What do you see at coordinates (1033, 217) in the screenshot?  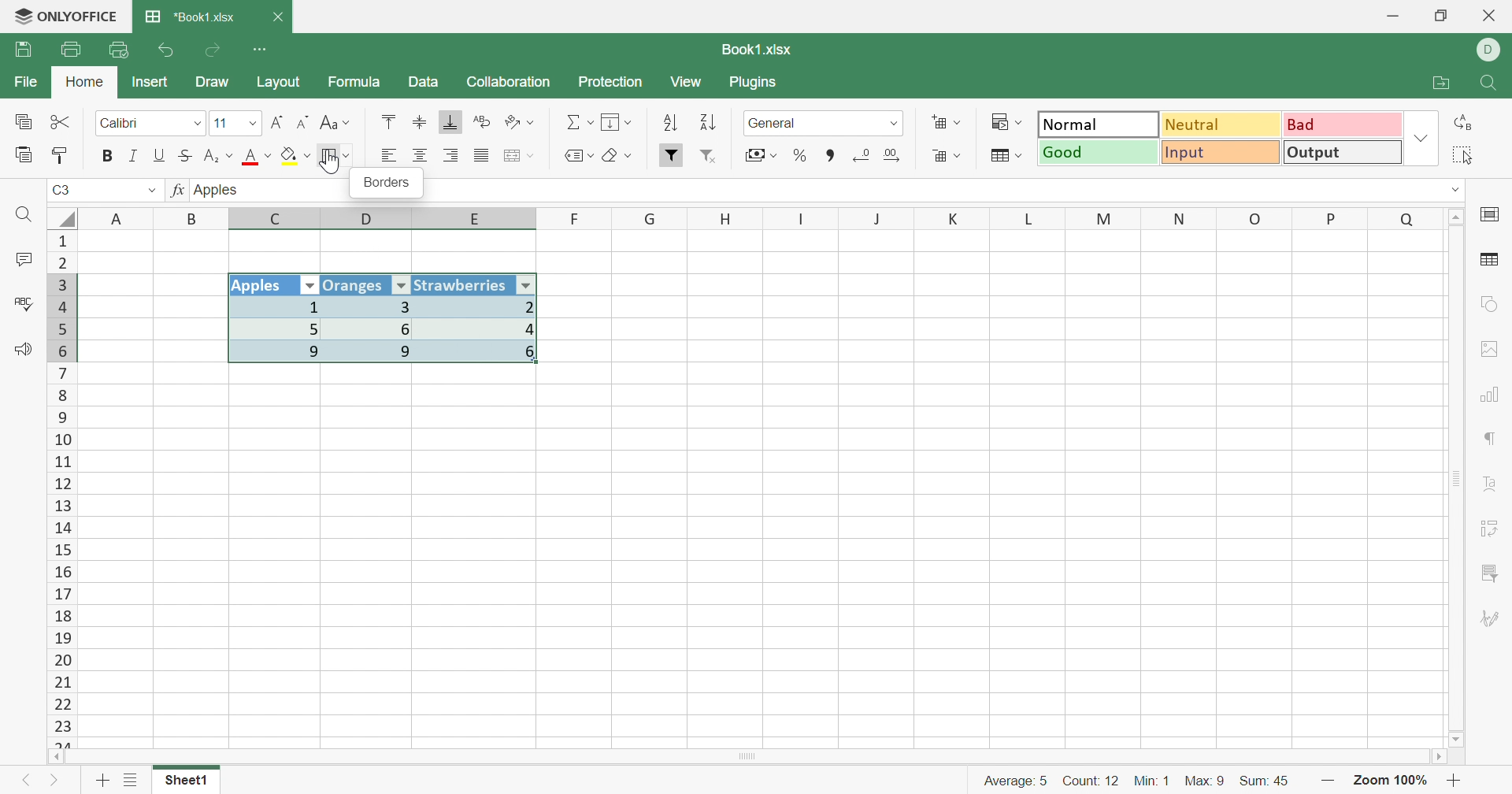 I see `L` at bounding box center [1033, 217].